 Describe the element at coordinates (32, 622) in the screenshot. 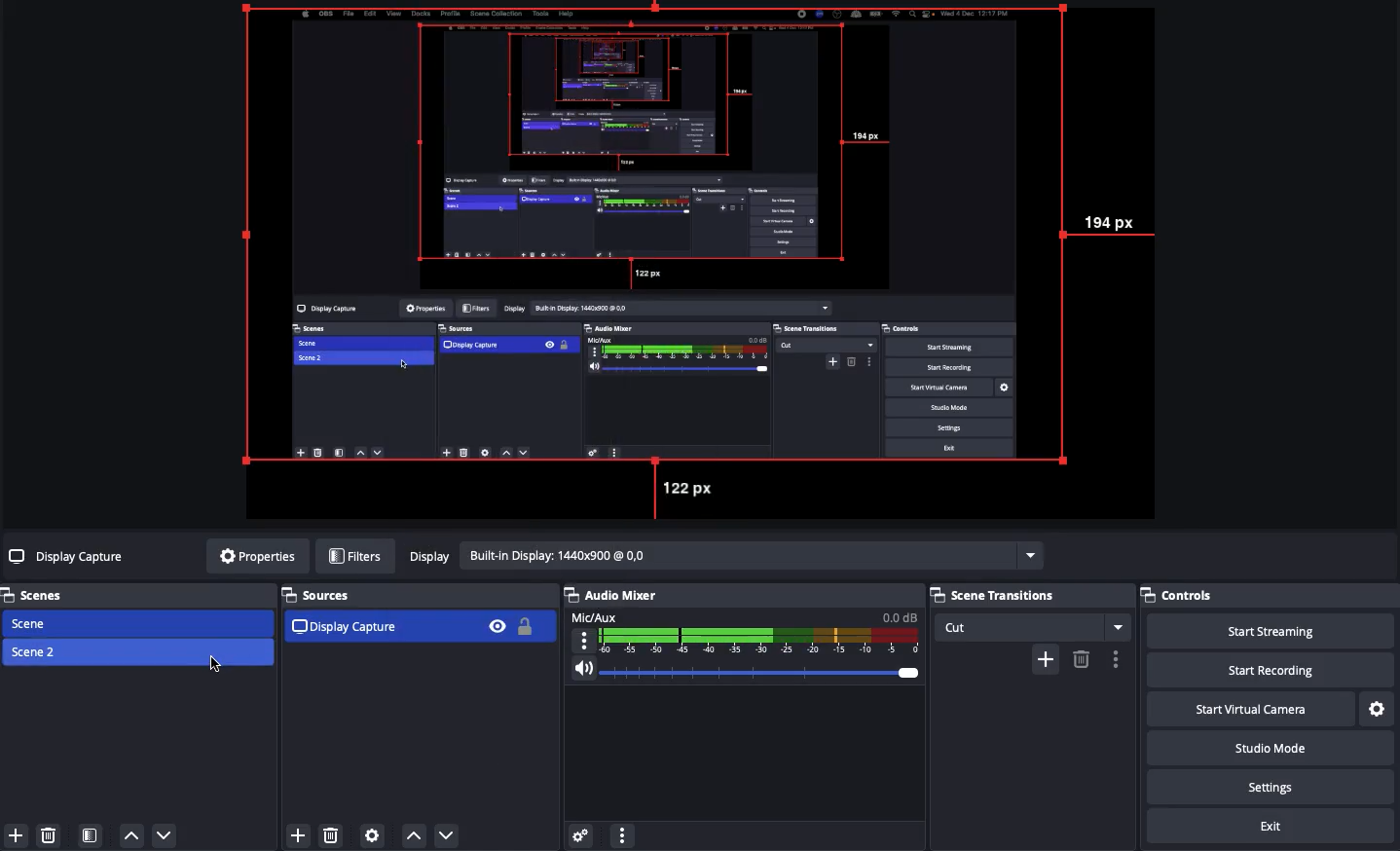

I see `Scene 1` at that location.